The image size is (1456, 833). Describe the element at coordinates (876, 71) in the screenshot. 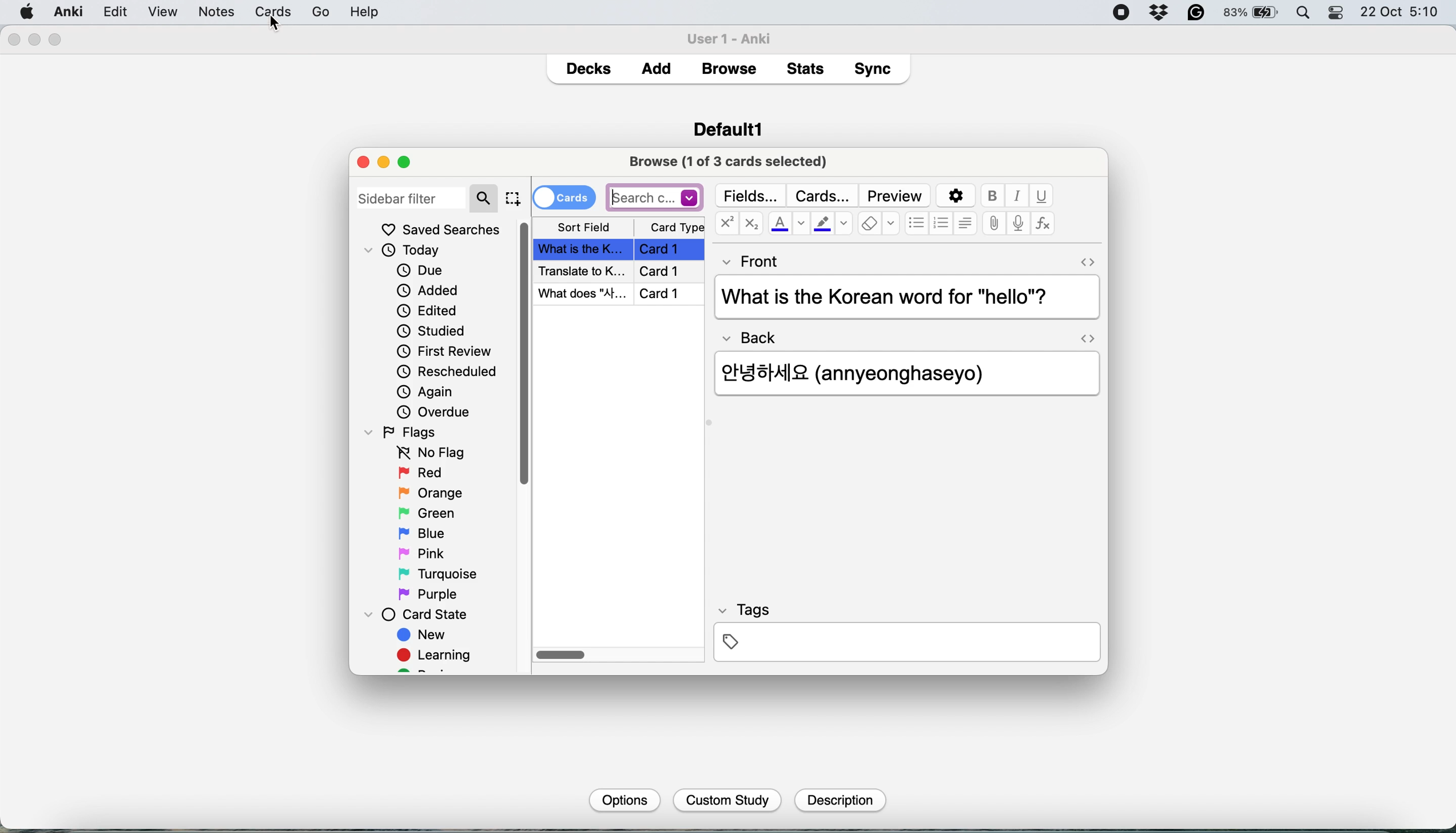

I see `sync` at that location.